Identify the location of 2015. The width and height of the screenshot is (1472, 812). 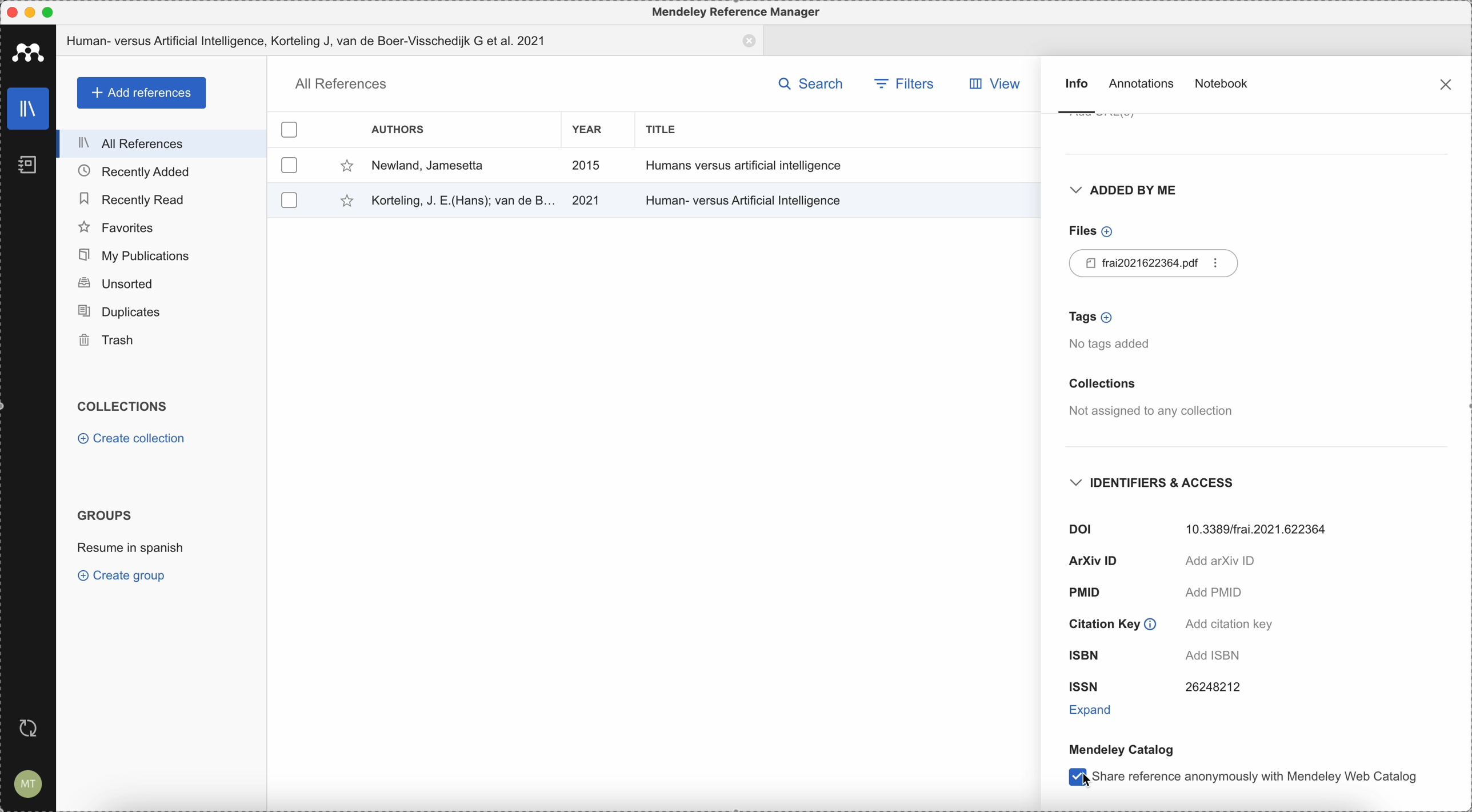
(587, 166).